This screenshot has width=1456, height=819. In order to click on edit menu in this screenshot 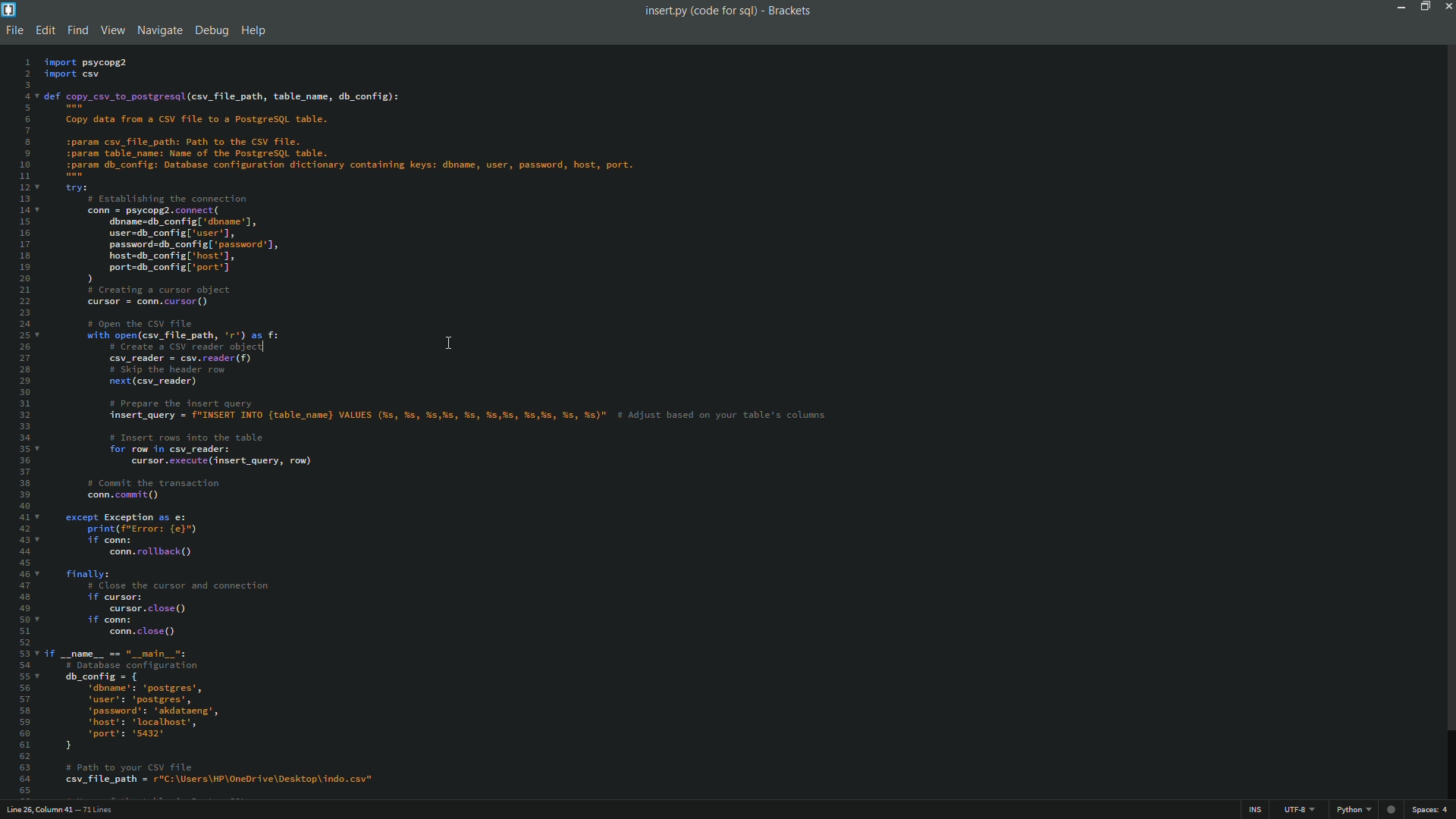, I will do `click(45, 30)`.